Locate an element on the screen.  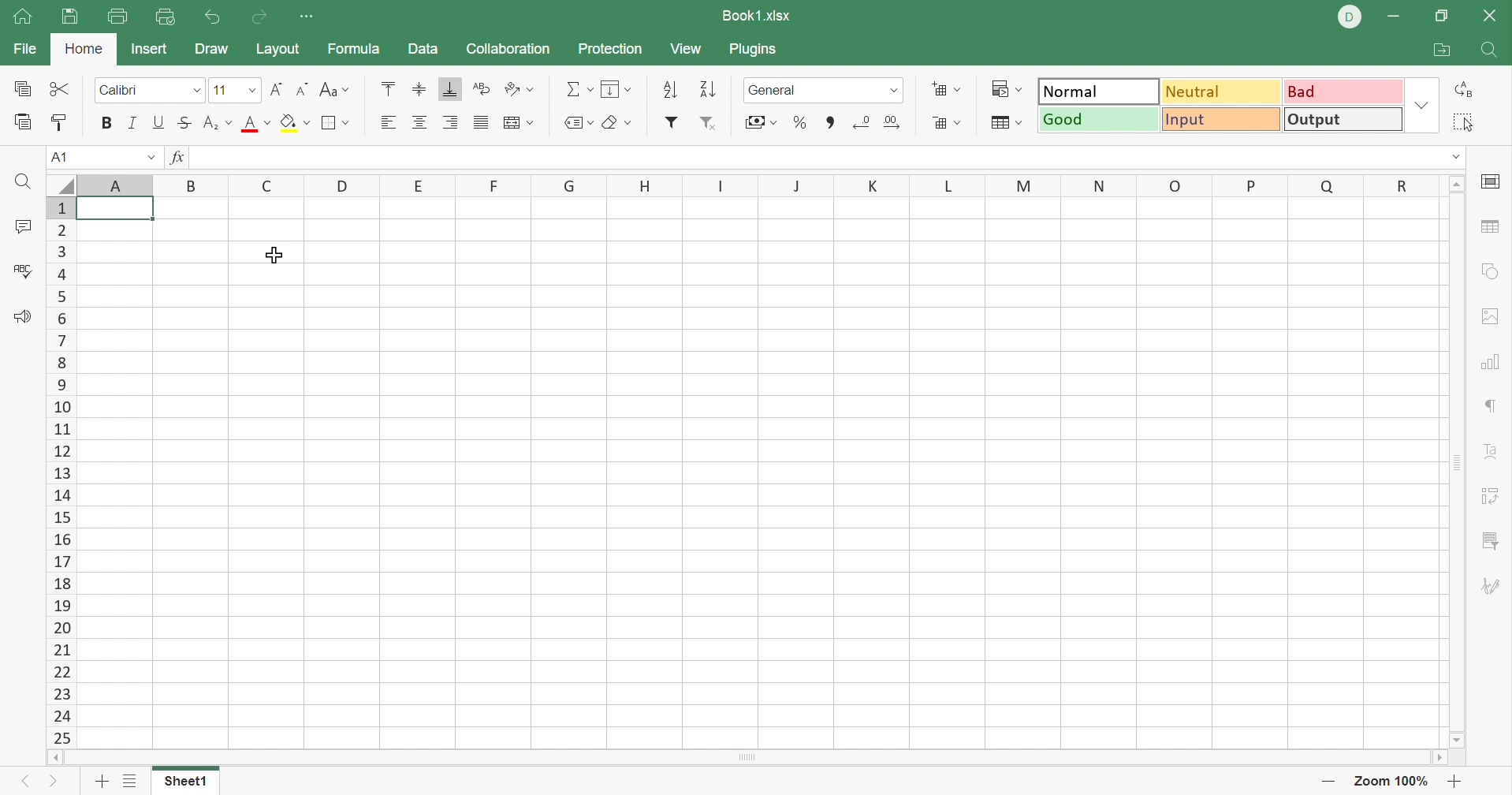
Scroll Down is located at coordinates (1458, 742).